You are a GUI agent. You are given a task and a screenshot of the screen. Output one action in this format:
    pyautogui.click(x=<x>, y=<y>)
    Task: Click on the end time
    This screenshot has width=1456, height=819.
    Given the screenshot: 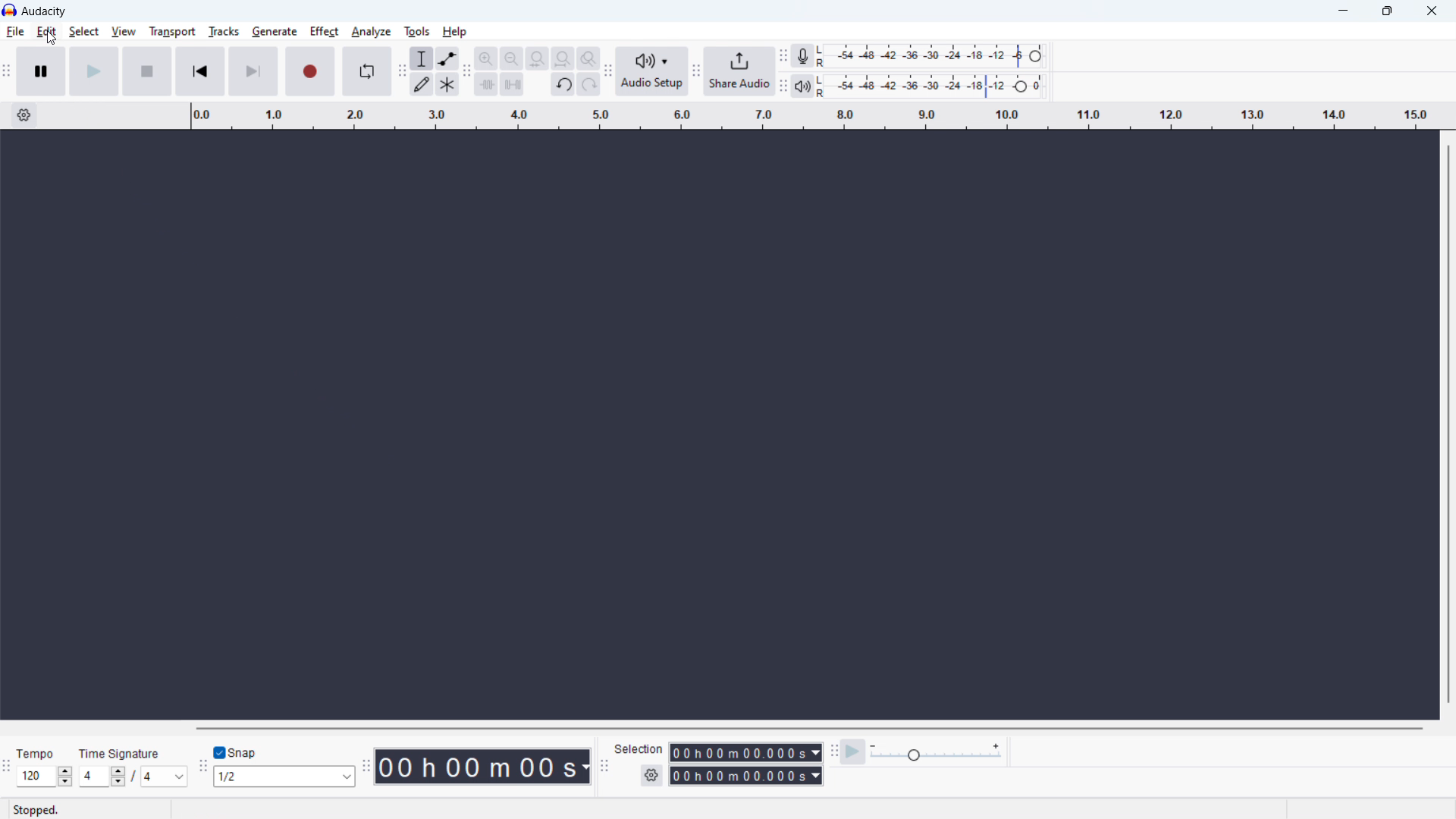 What is the action you would take?
    pyautogui.click(x=745, y=777)
    